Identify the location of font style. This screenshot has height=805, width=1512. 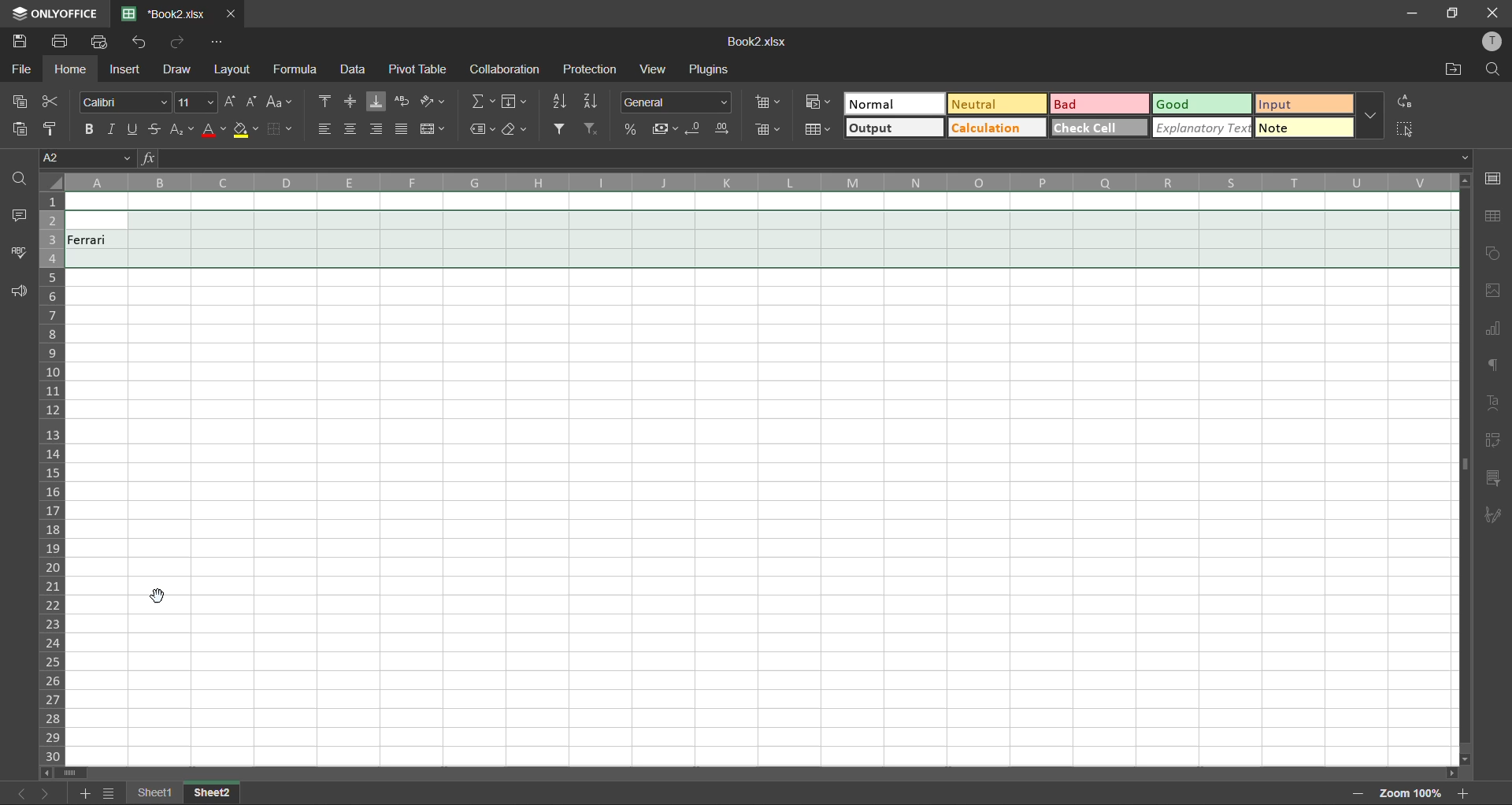
(126, 99).